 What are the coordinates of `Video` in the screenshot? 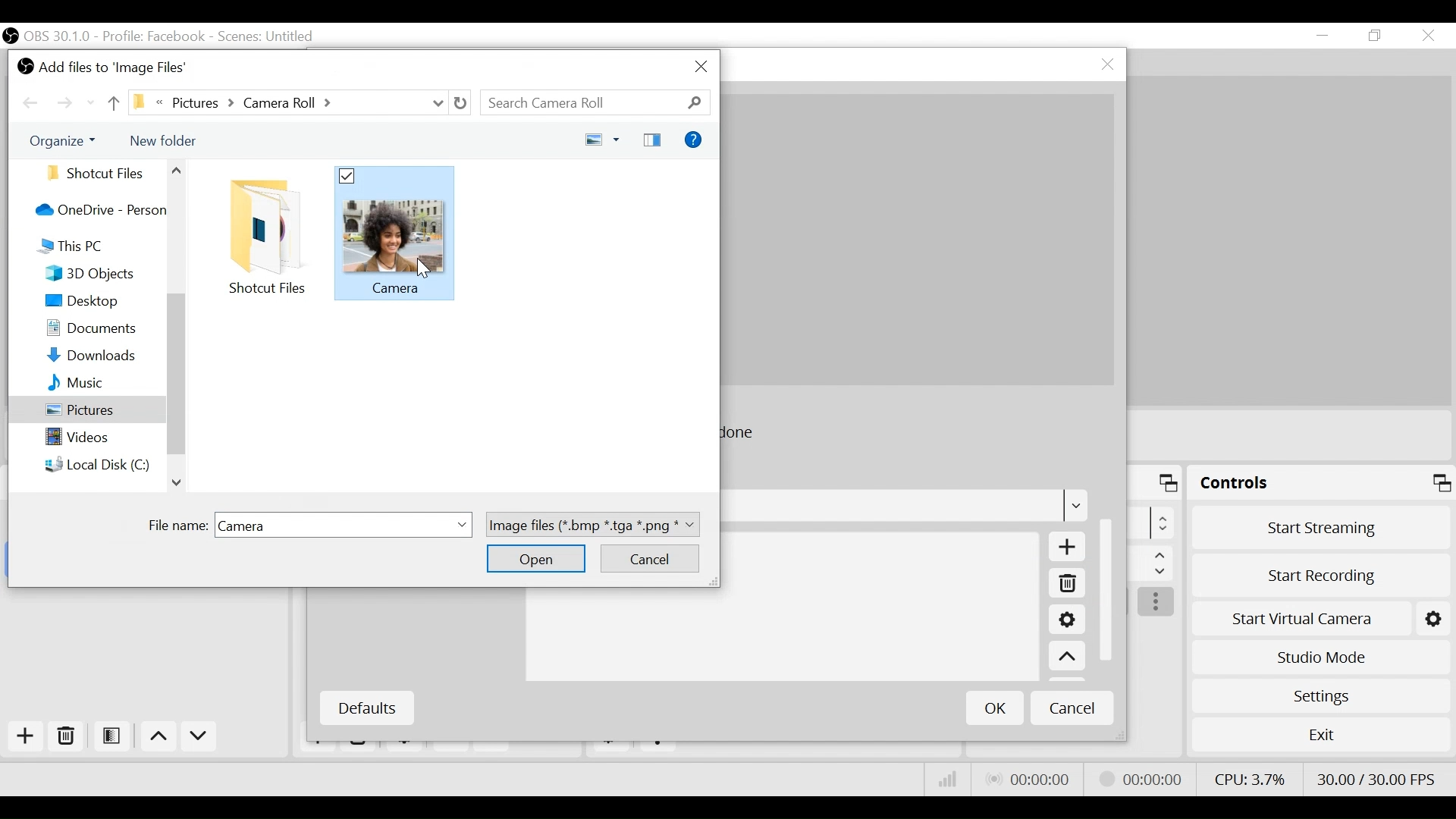 It's located at (102, 439).